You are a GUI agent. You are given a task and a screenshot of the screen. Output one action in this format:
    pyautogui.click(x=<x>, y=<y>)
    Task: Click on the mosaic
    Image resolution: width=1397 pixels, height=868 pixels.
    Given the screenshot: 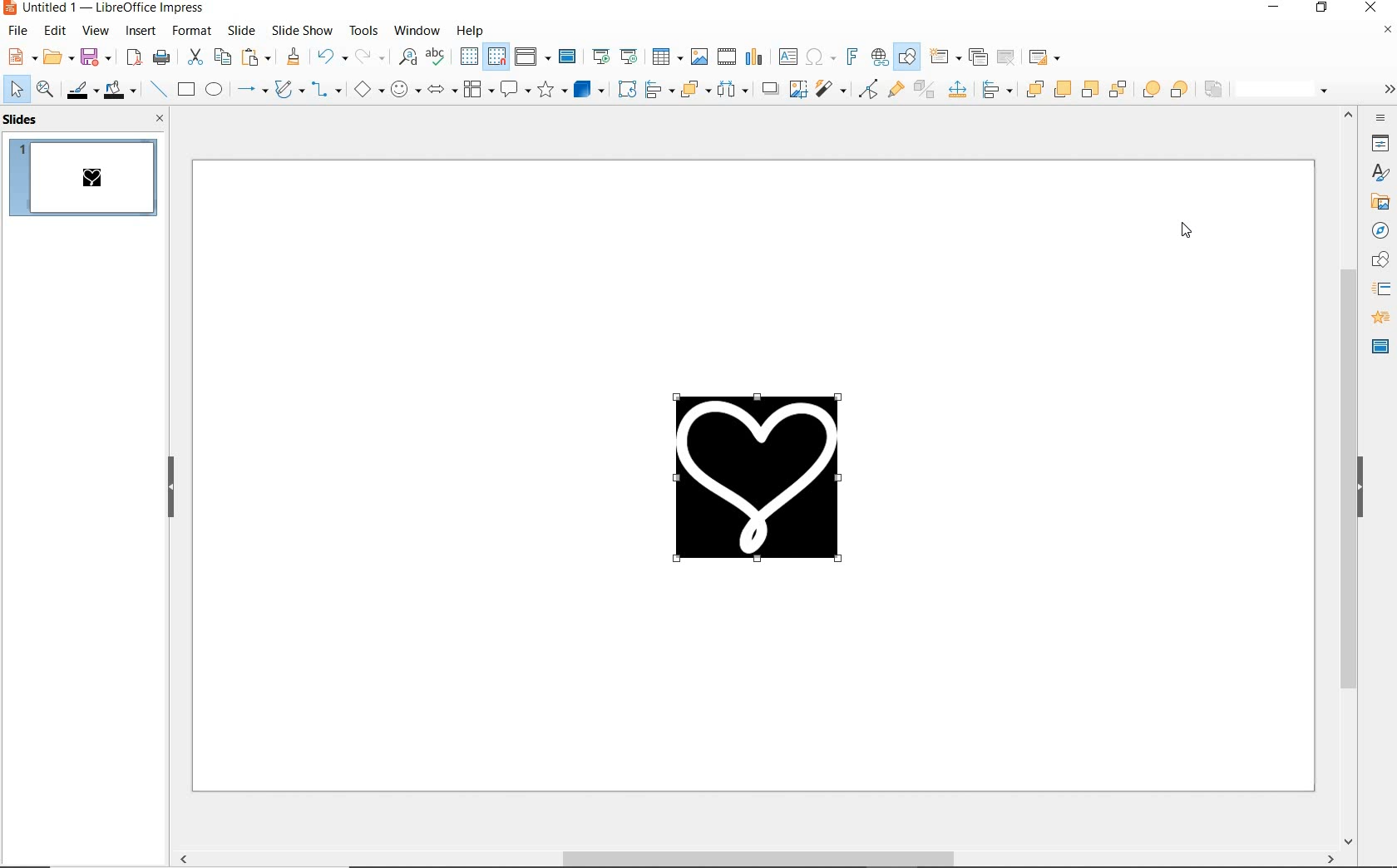 What is the action you would take?
    pyautogui.click(x=1379, y=341)
    